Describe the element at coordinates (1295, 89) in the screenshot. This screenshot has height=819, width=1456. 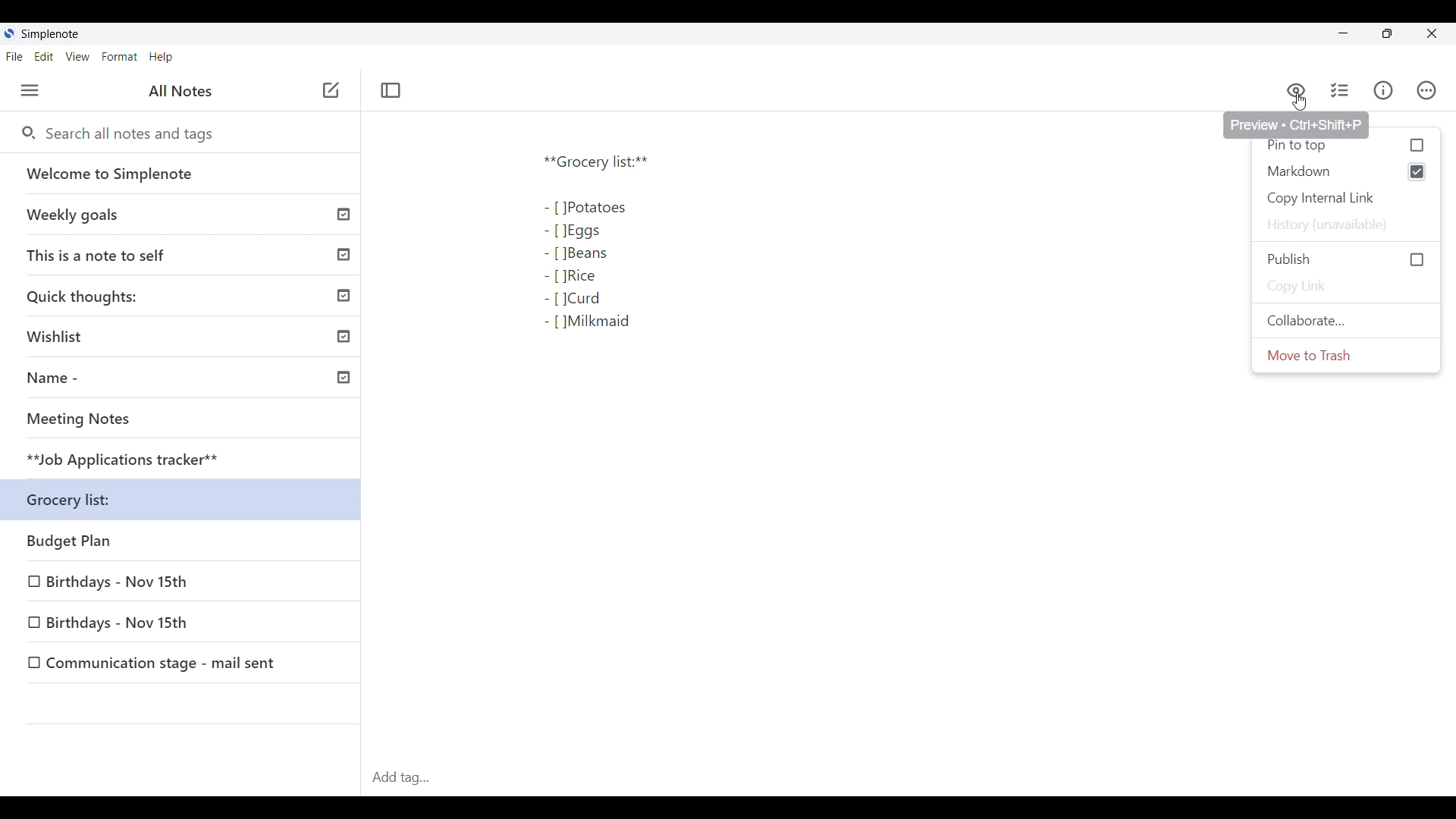
I see `Markdown Preview` at that location.